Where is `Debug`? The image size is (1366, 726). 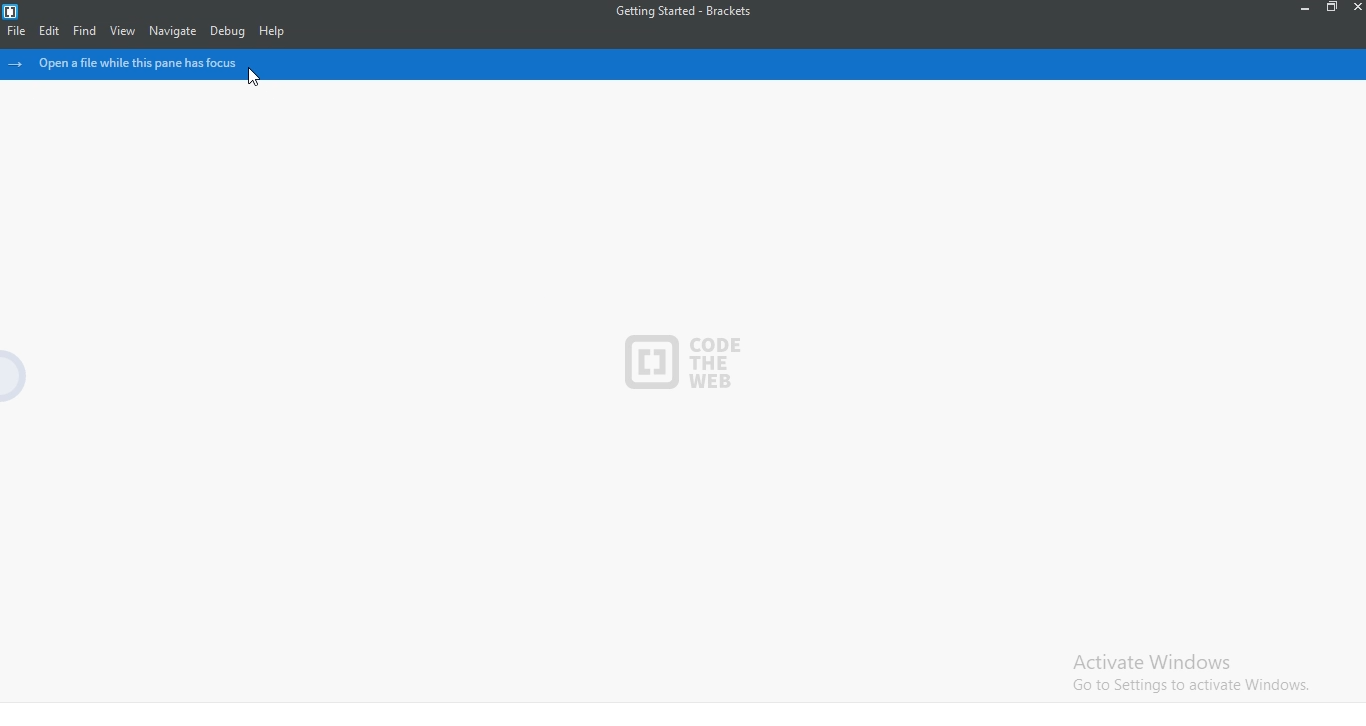 Debug is located at coordinates (229, 33).